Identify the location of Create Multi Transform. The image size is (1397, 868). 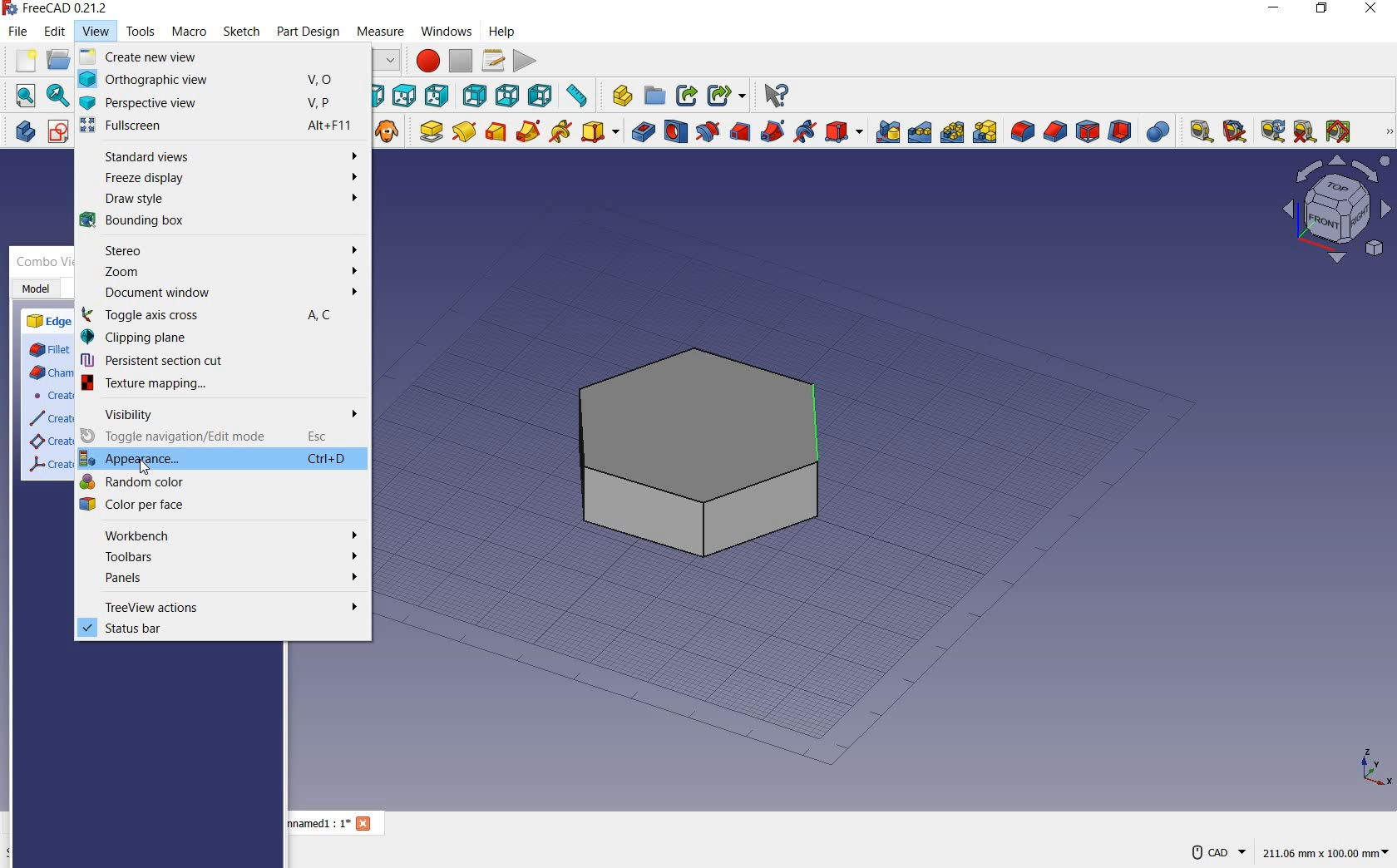
(985, 132).